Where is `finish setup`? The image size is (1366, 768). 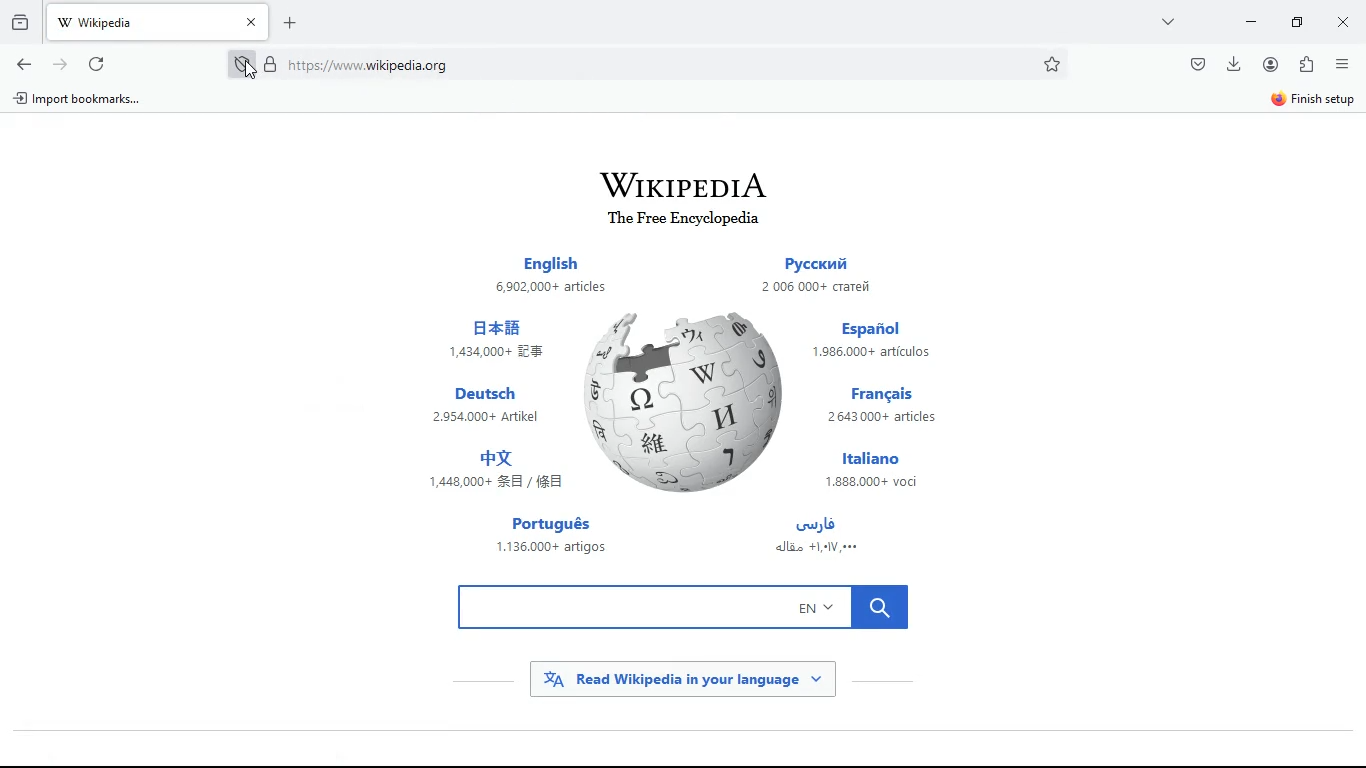
finish setup is located at coordinates (1316, 98).